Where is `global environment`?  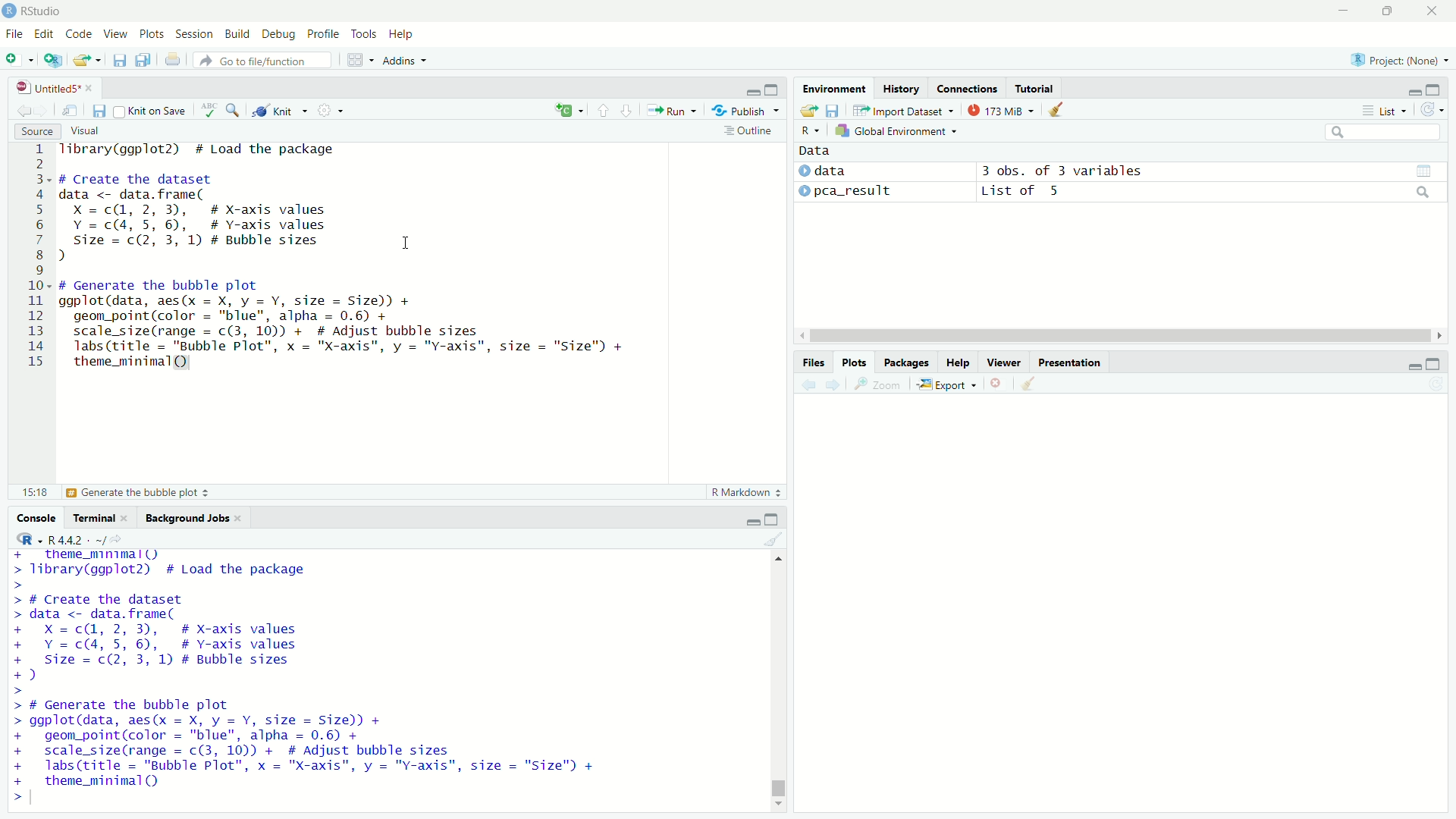
global environment is located at coordinates (899, 130).